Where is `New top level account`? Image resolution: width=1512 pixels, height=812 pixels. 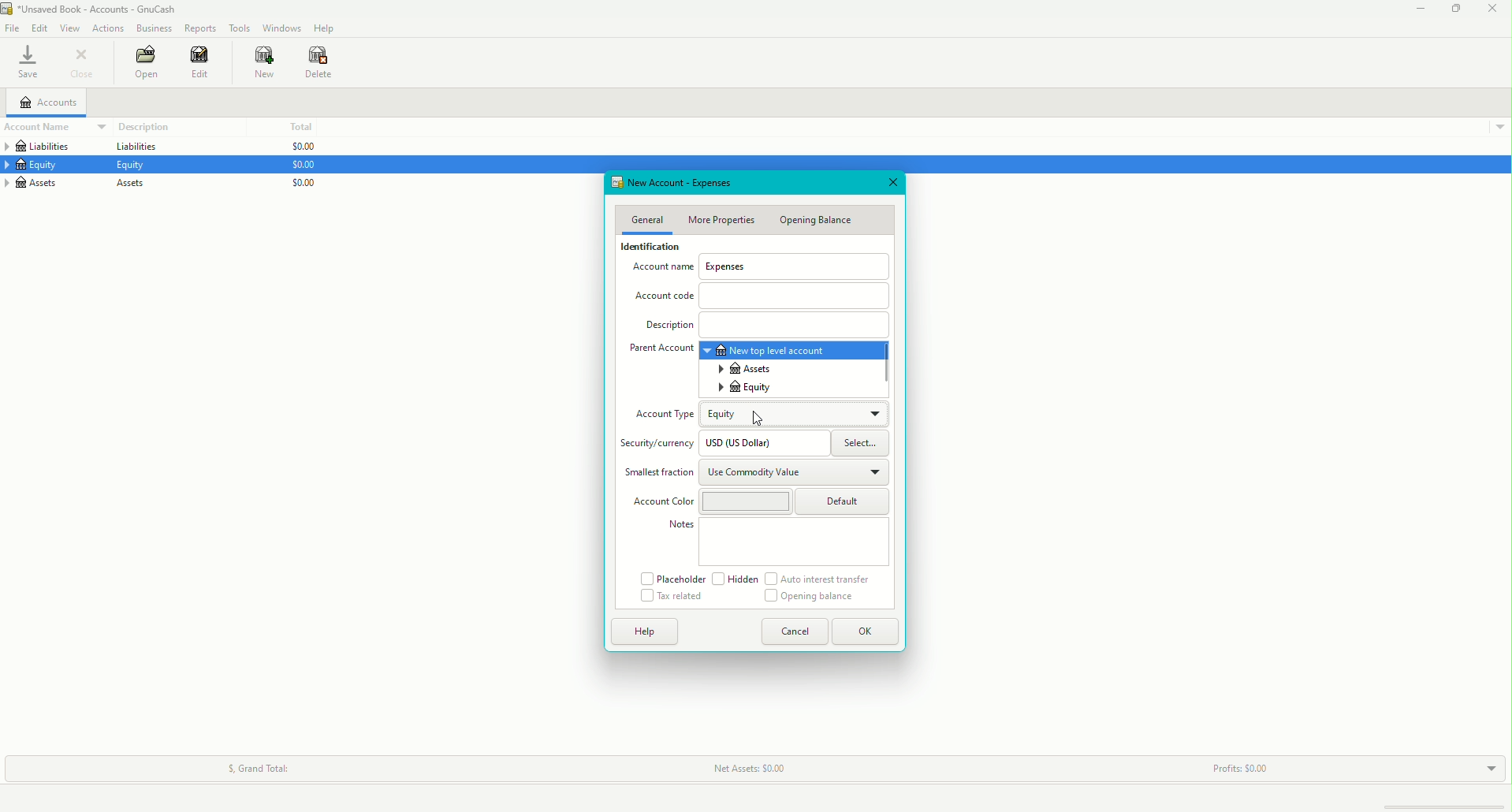 New top level account is located at coordinates (802, 349).